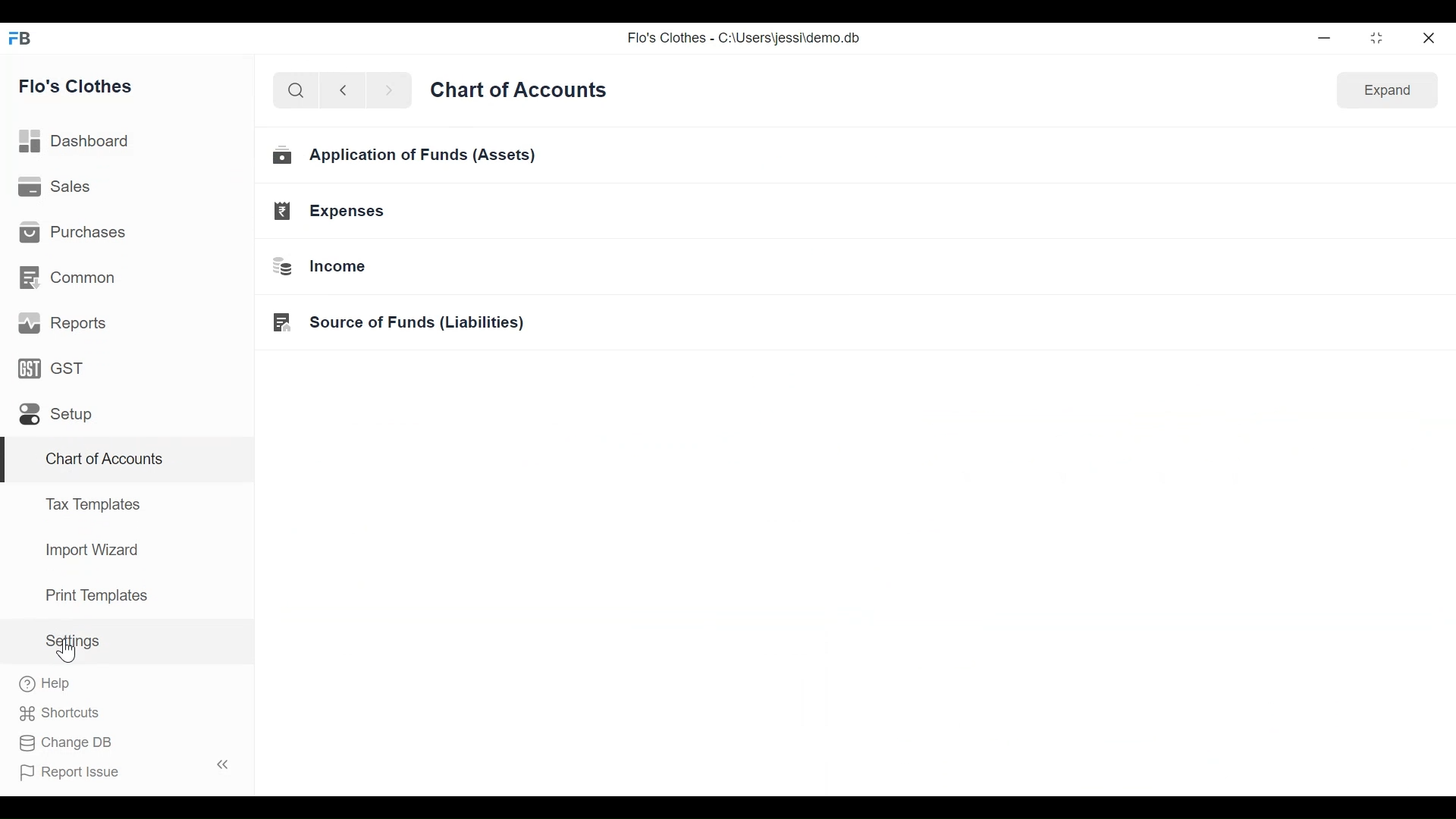  I want to click on application of funds (assets), so click(406, 155).